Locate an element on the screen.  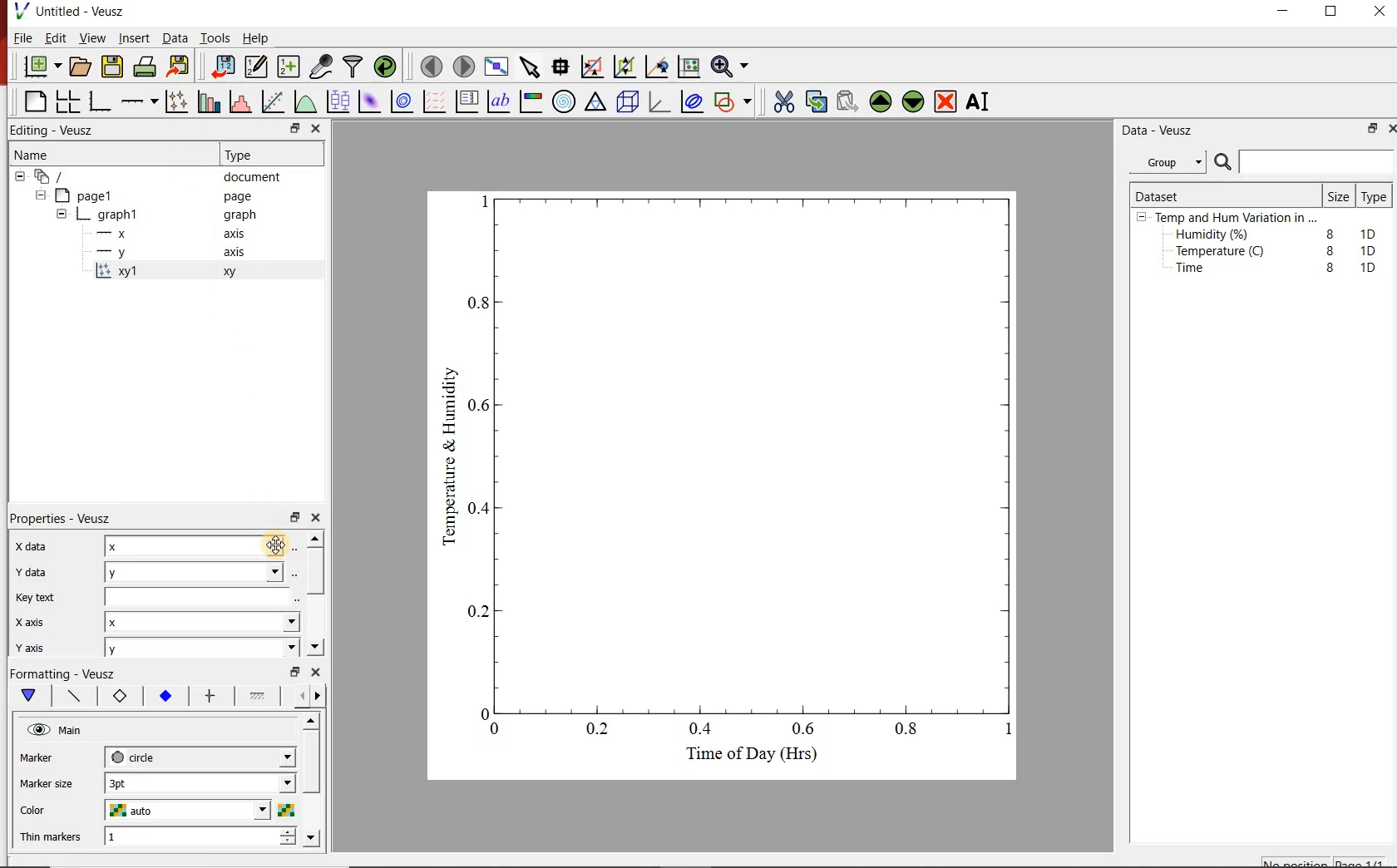
Key text is located at coordinates (144, 599).